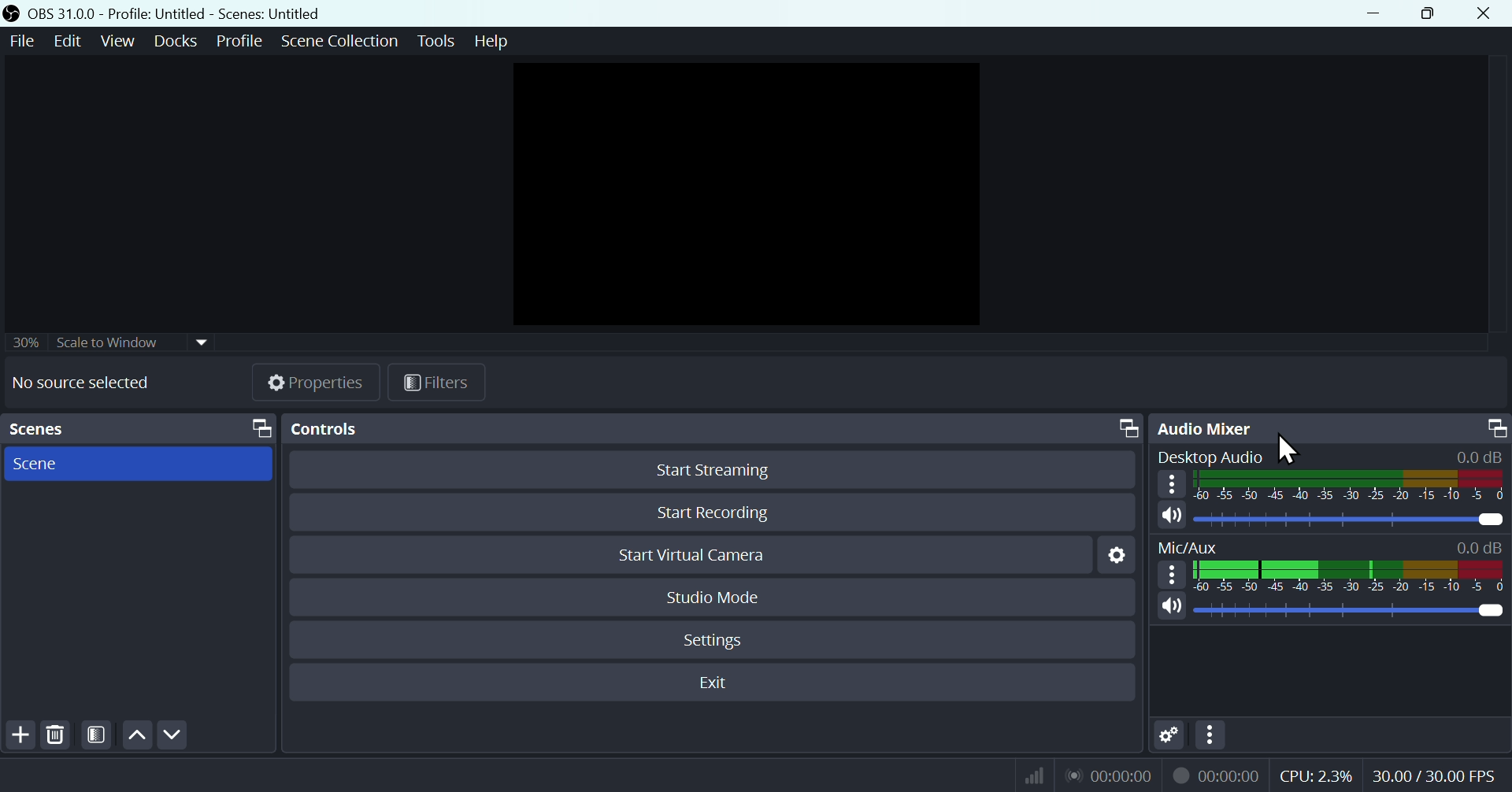 Image resolution: width=1512 pixels, height=792 pixels. Describe the element at coordinates (702, 598) in the screenshot. I see `Studio mode` at that location.